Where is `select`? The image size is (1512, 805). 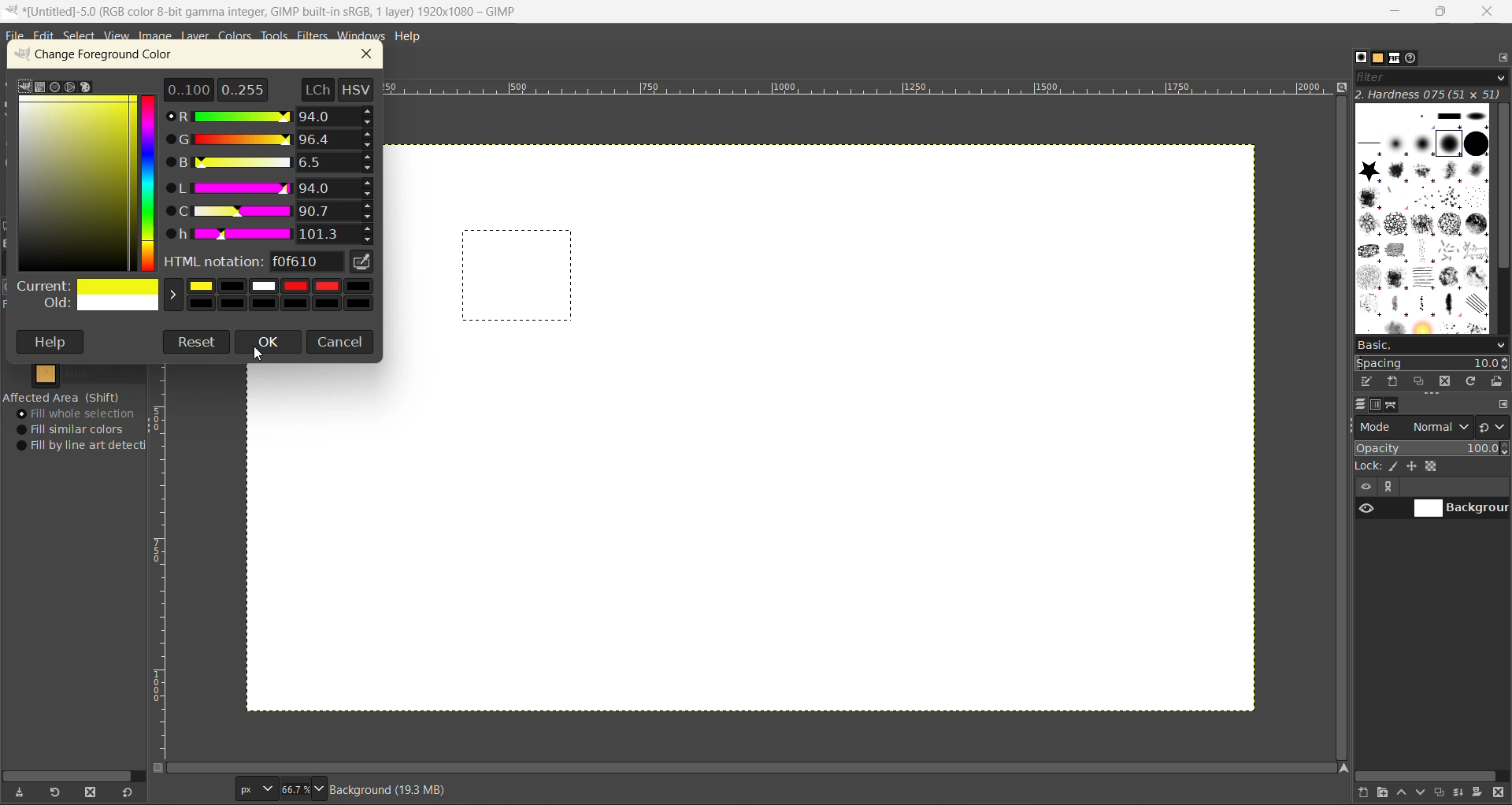 select is located at coordinates (83, 38).